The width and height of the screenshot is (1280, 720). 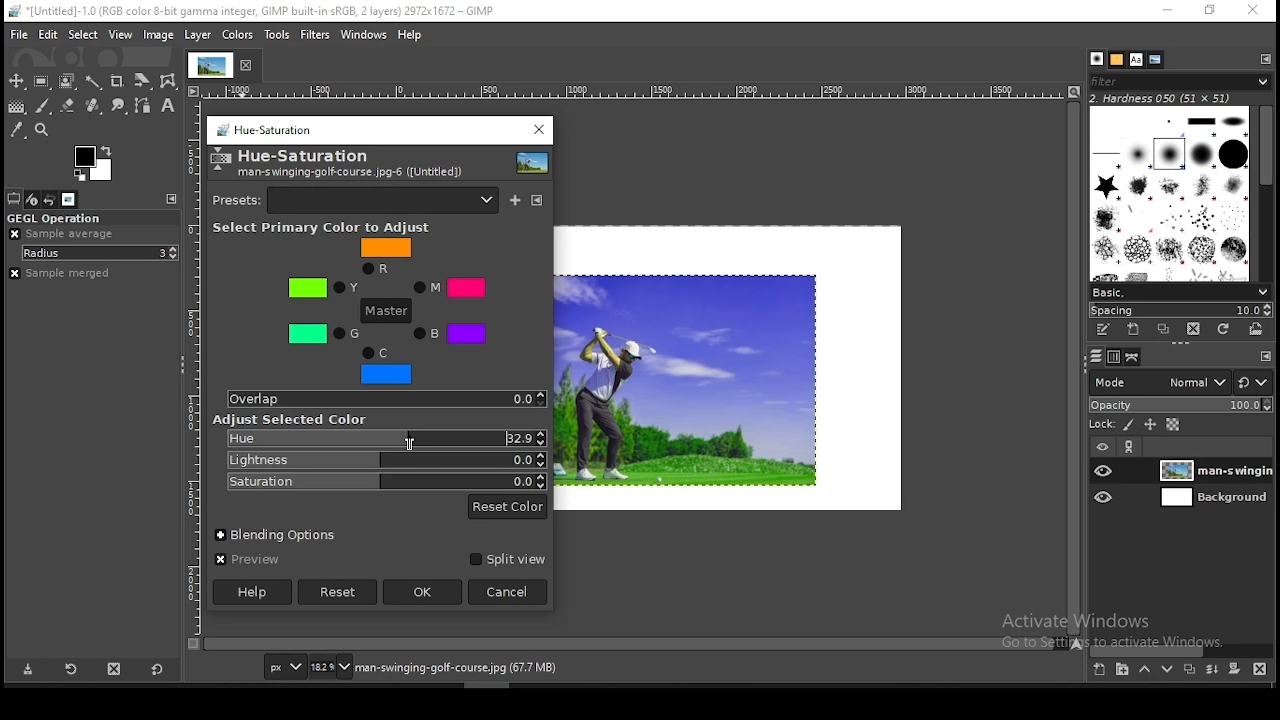 What do you see at coordinates (1102, 471) in the screenshot?
I see `layer visibility on/off` at bounding box center [1102, 471].